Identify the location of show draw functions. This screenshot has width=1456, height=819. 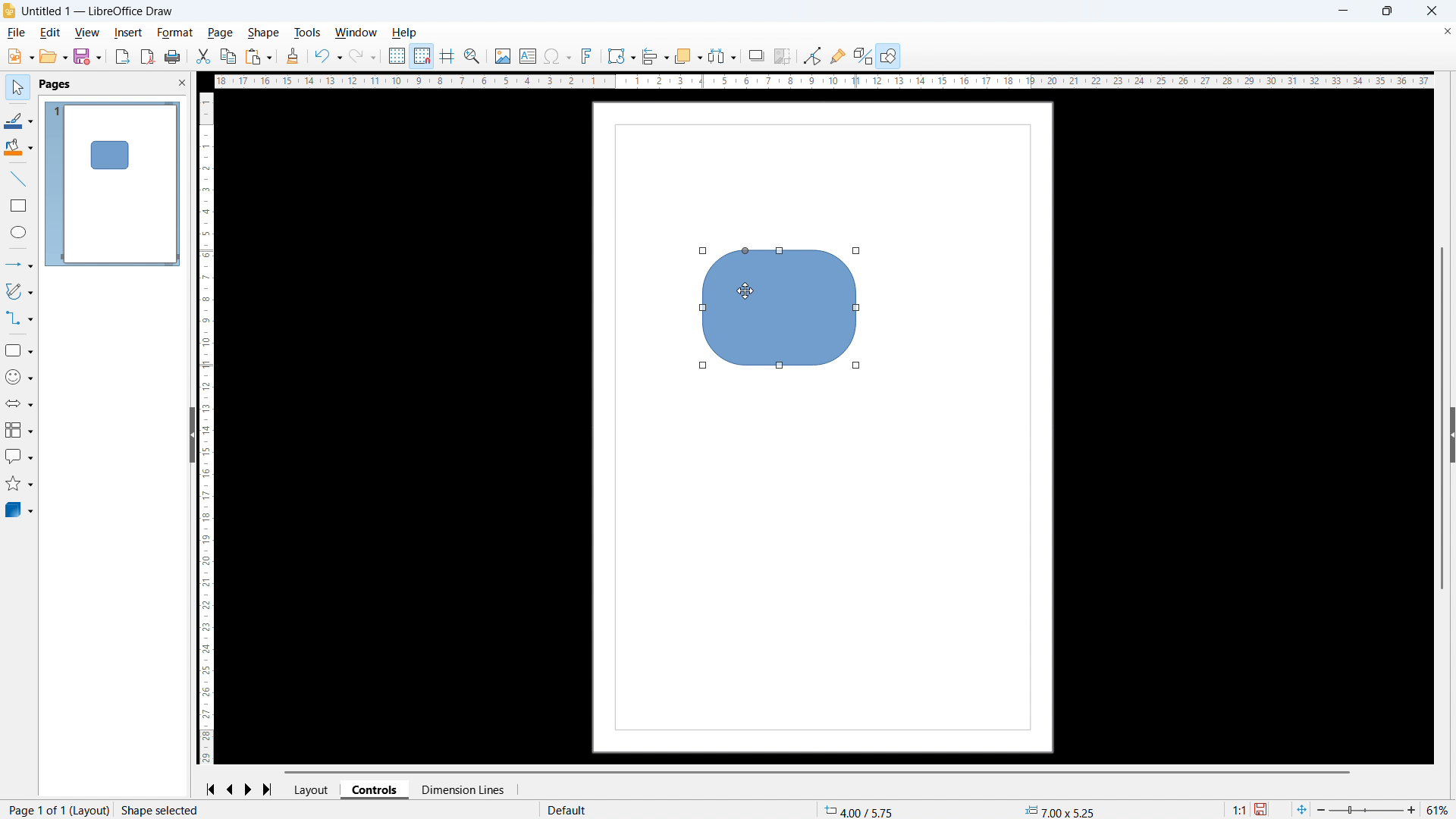
(888, 55).